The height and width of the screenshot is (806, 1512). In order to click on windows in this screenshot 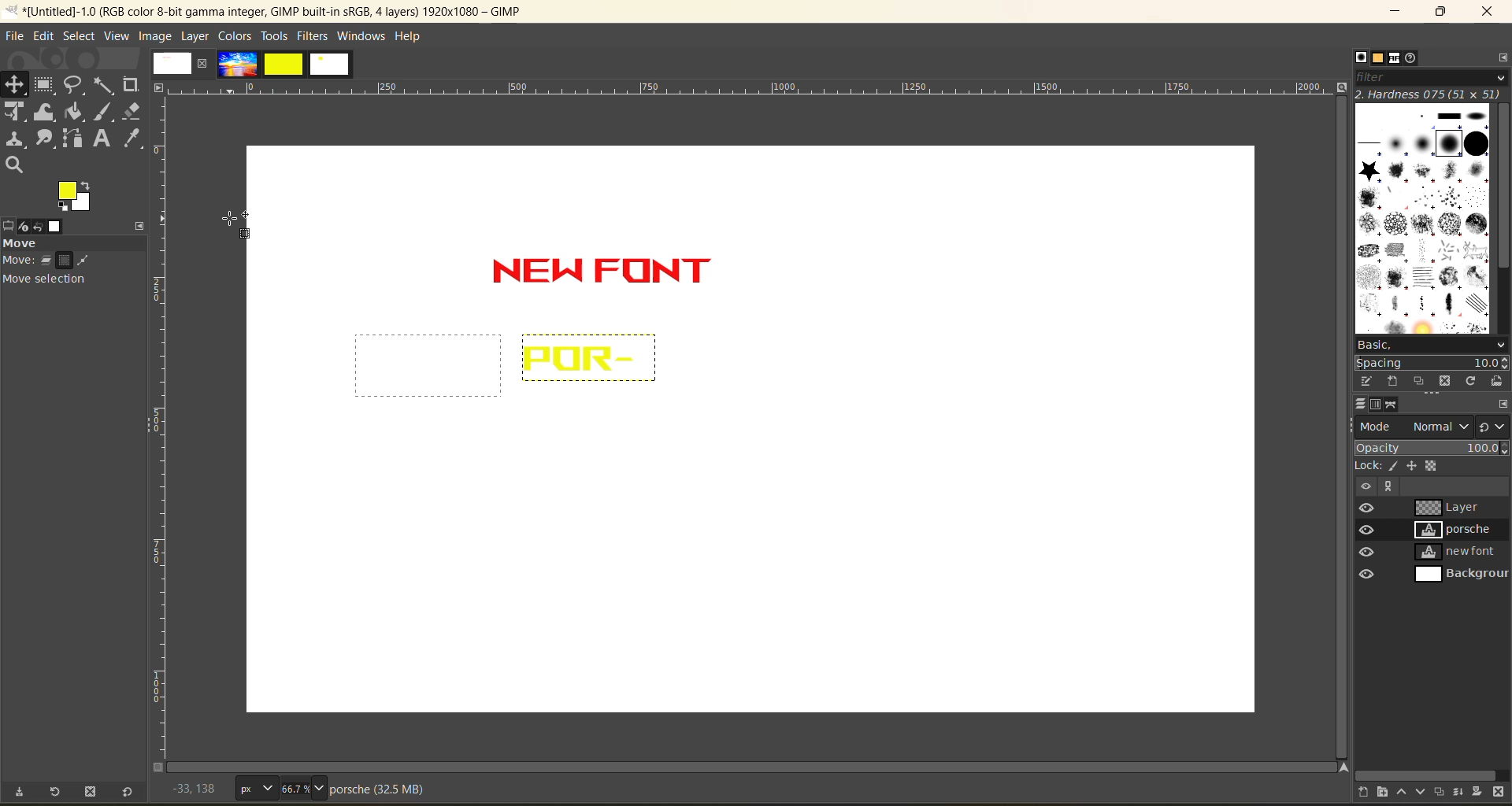, I will do `click(360, 37)`.